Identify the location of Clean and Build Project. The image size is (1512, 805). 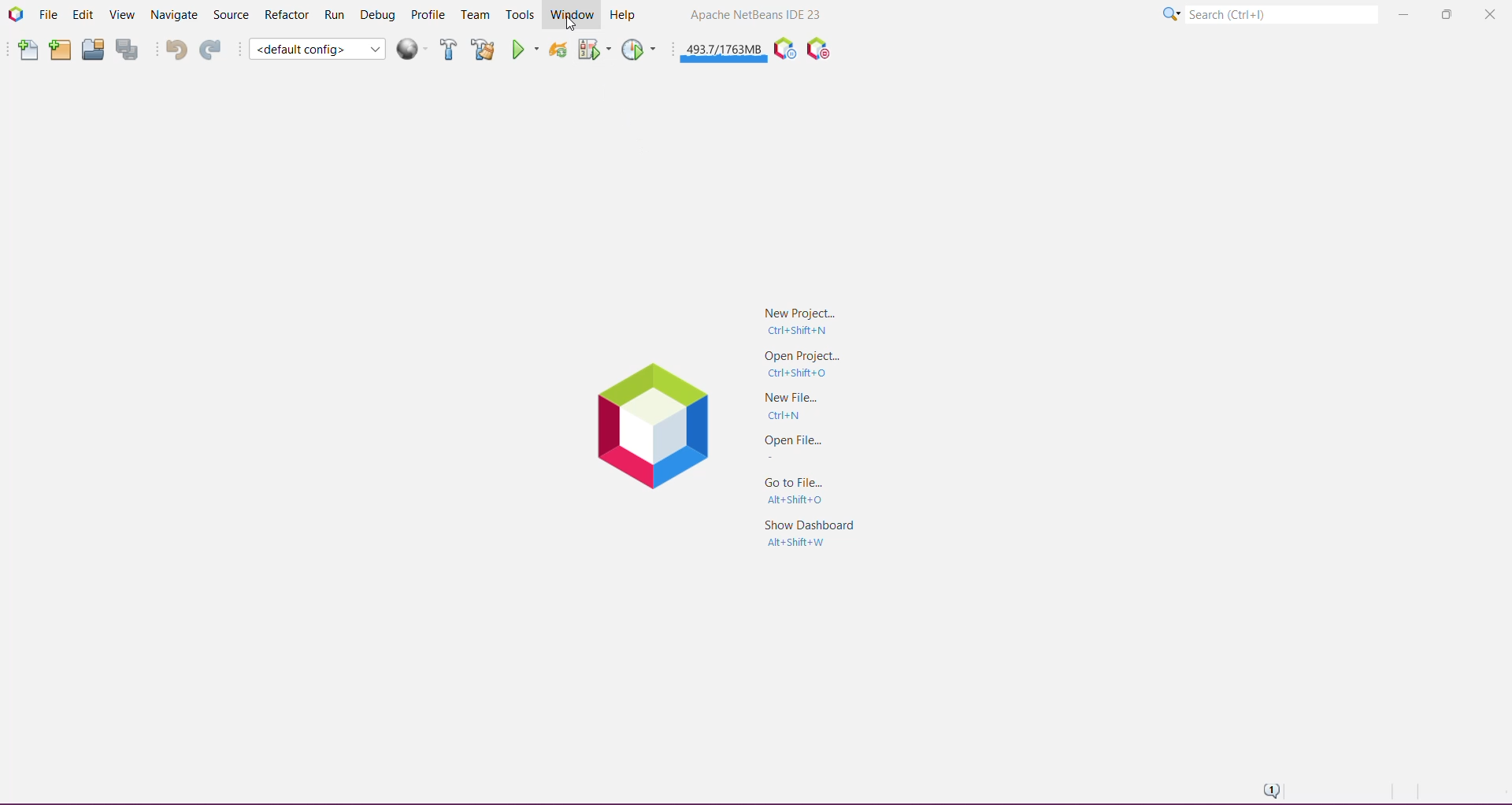
(483, 49).